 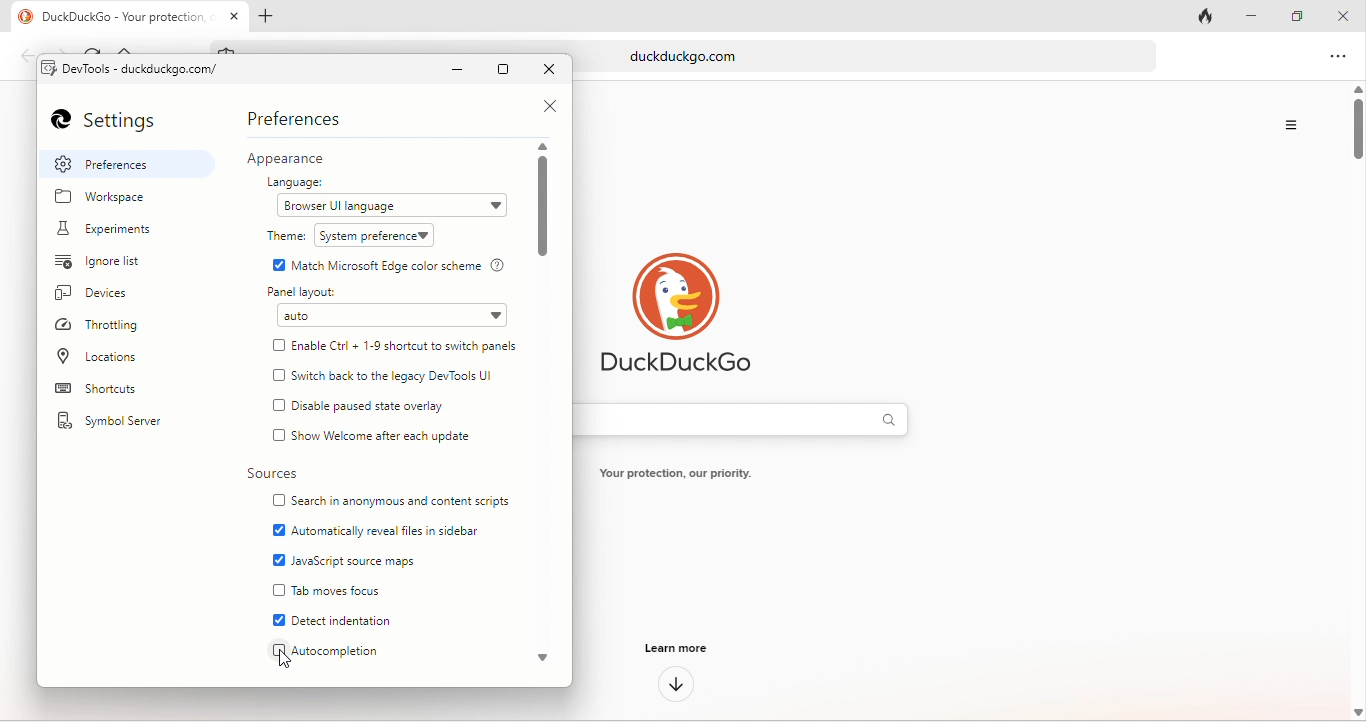 What do you see at coordinates (280, 406) in the screenshot?
I see `checkbox` at bounding box center [280, 406].